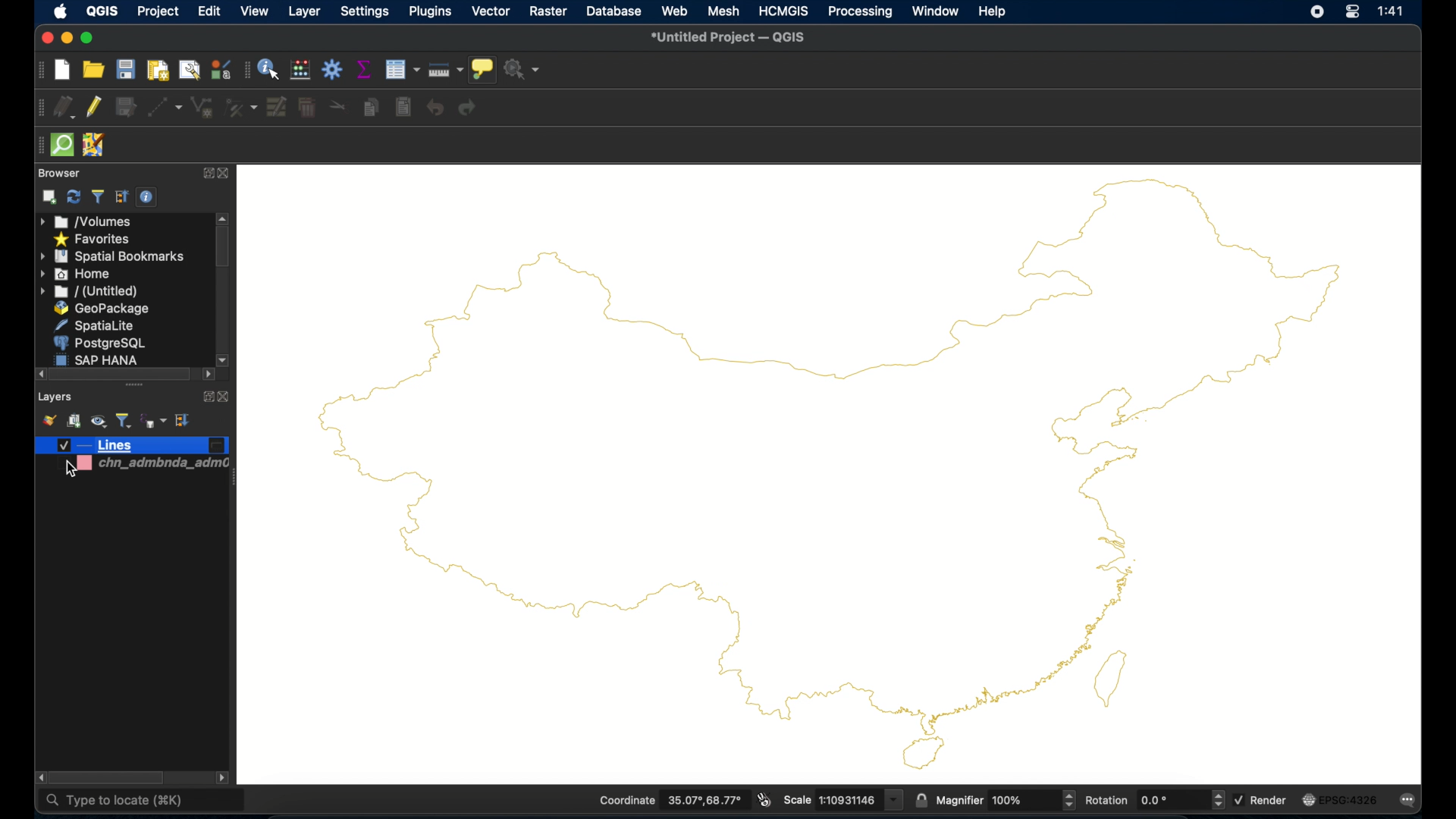 Image resolution: width=1456 pixels, height=819 pixels. Describe the element at coordinates (48, 419) in the screenshot. I see `open layer styling panel` at that location.